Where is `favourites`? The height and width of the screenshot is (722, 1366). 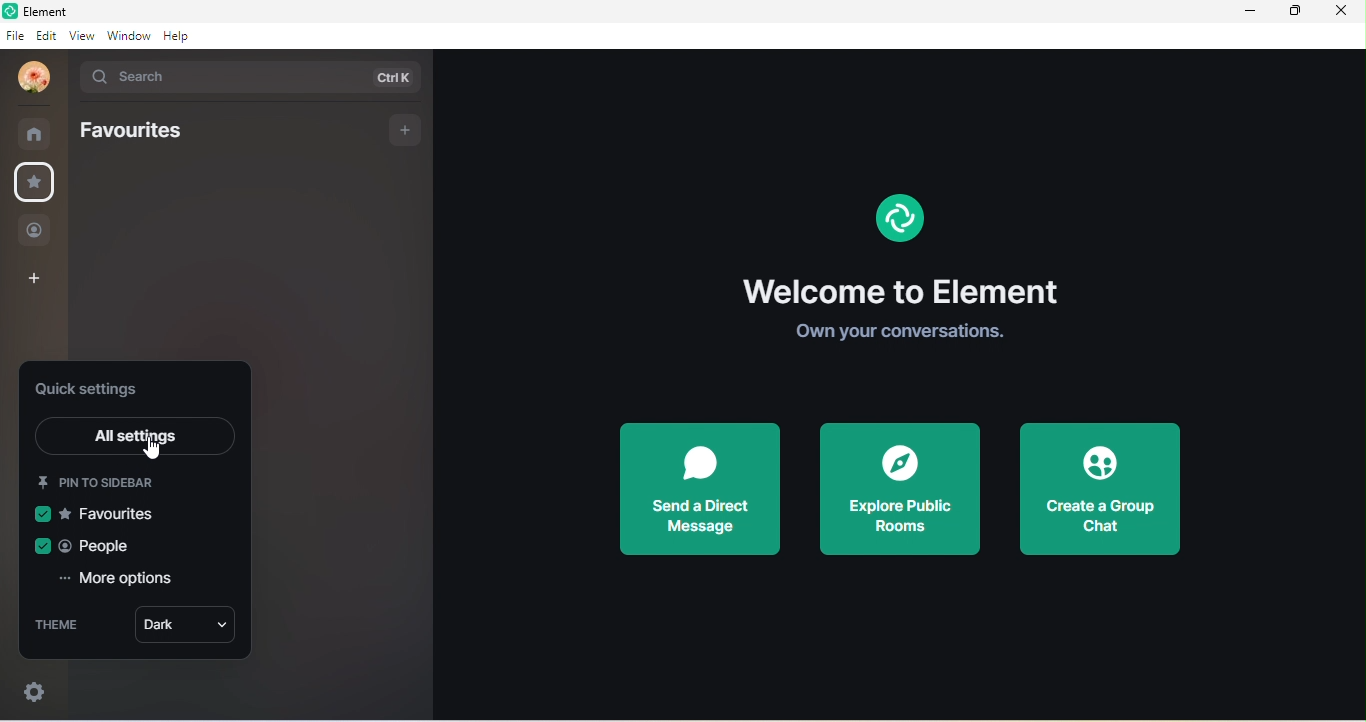 favourites is located at coordinates (117, 517).